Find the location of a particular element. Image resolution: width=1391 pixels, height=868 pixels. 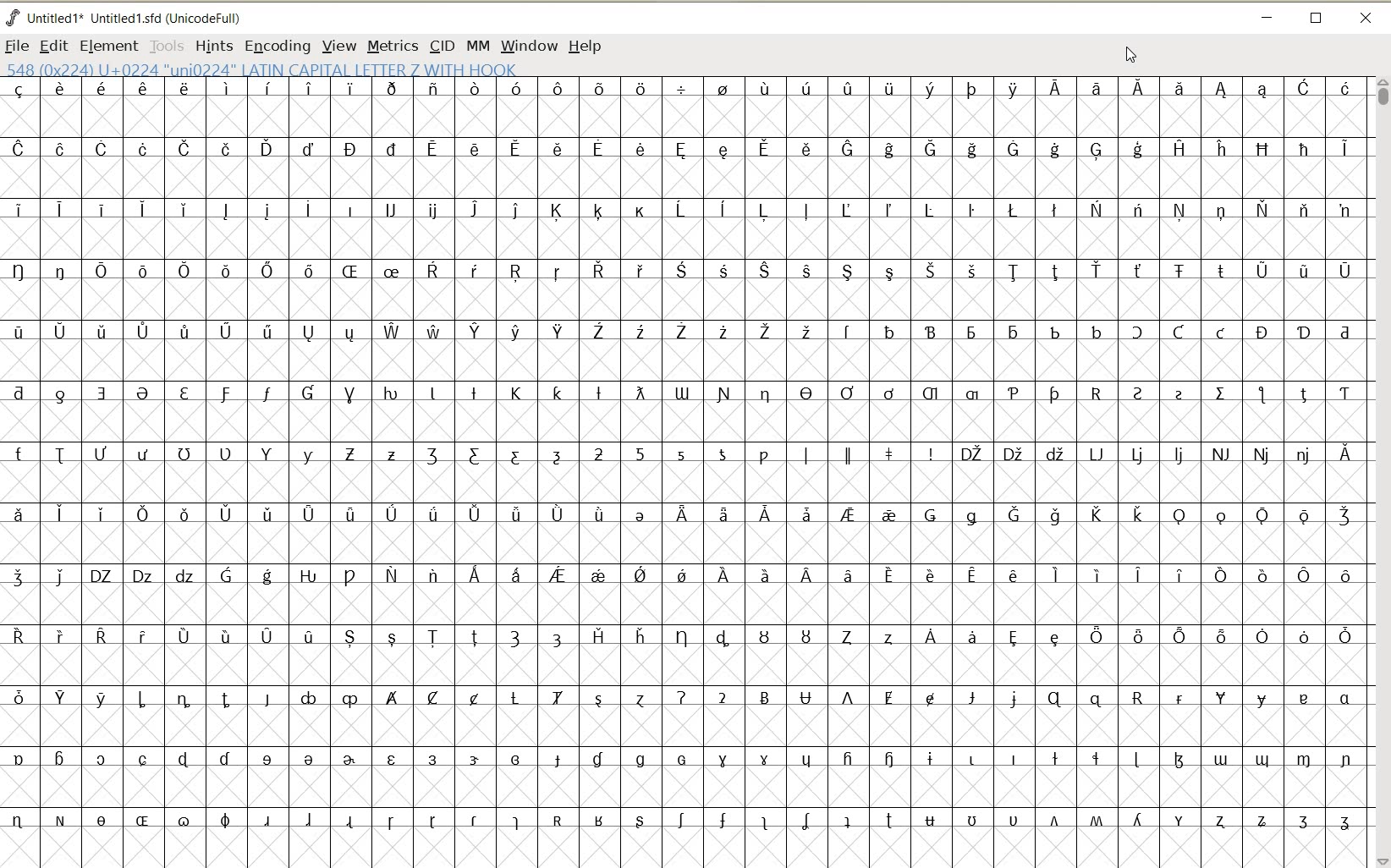

CURSOR is located at coordinates (1129, 53).